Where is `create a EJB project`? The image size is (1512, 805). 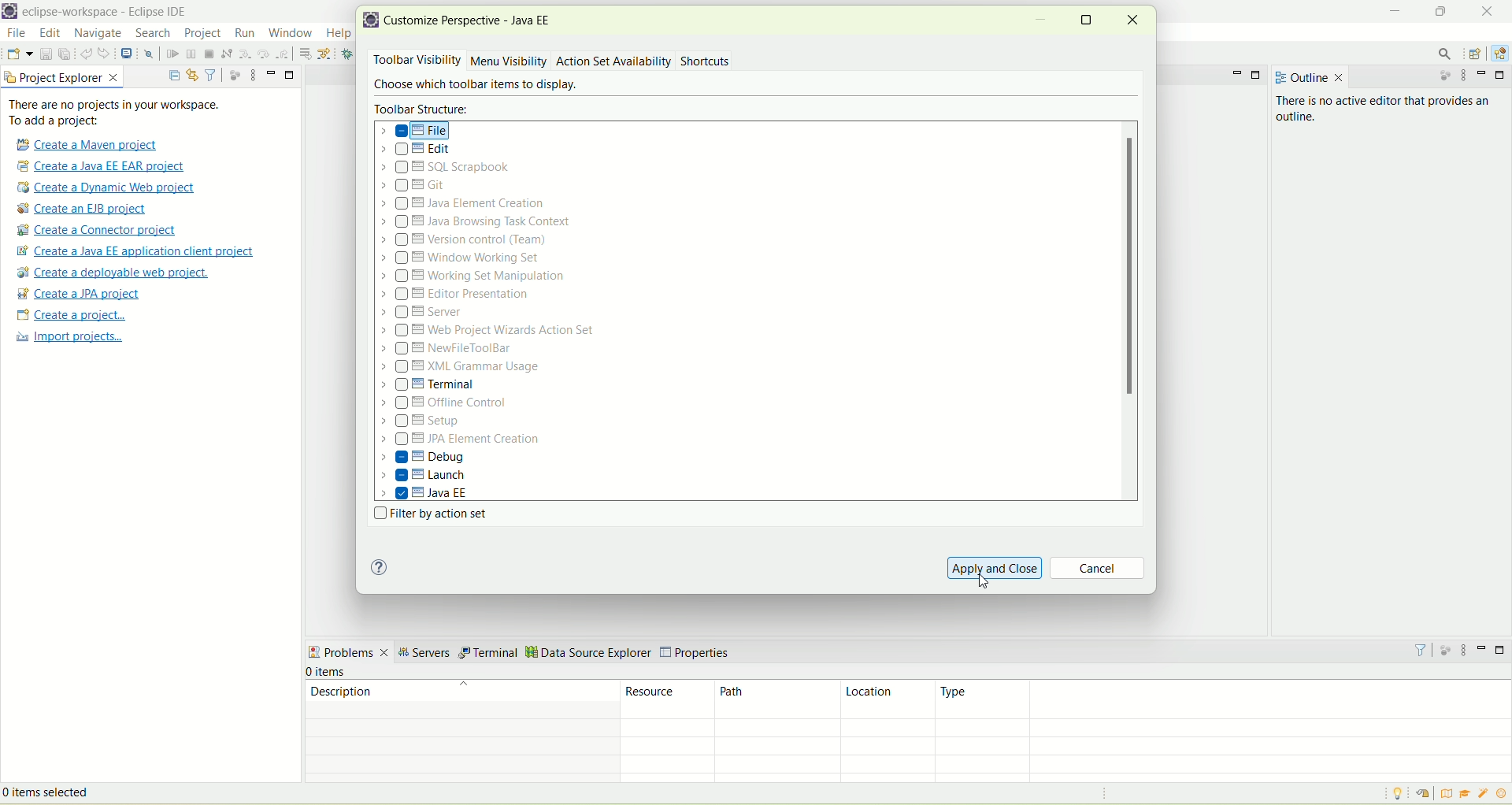
create a EJB project is located at coordinates (86, 210).